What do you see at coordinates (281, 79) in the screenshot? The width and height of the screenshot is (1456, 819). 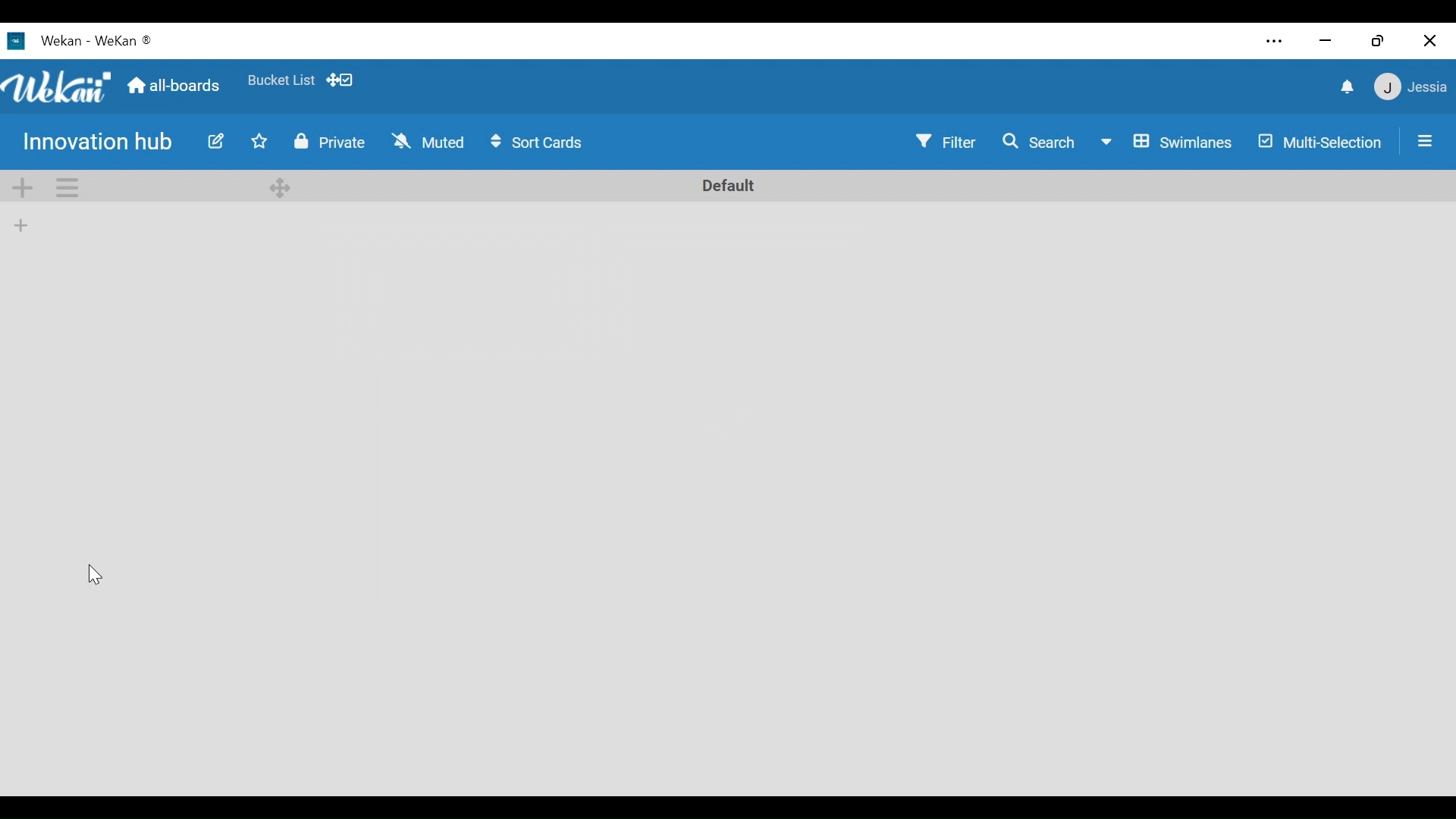 I see `Shortcut to favorites` at bounding box center [281, 79].